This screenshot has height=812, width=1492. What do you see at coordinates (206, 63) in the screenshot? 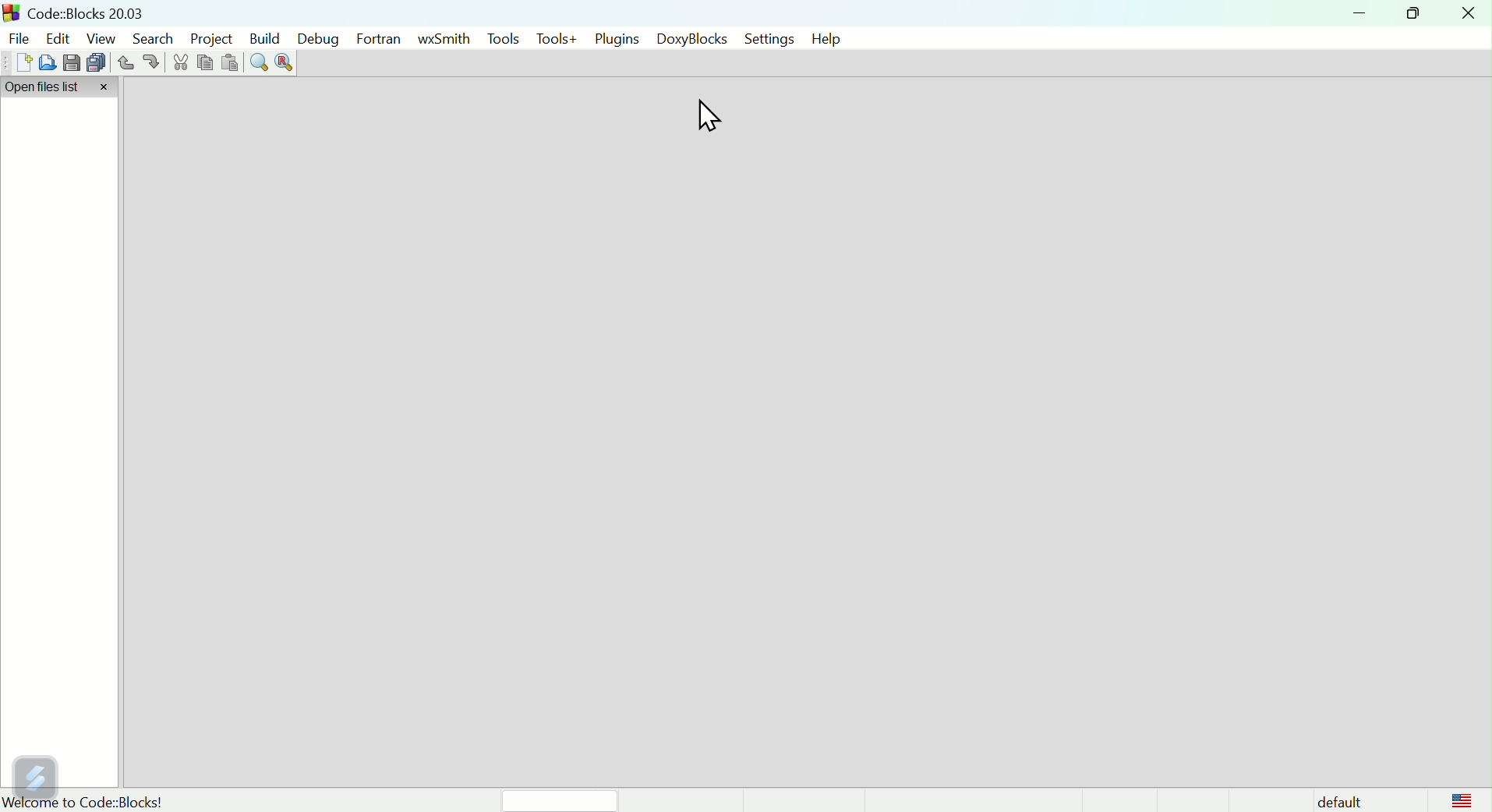
I see `Copy` at bounding box center [206, 63].